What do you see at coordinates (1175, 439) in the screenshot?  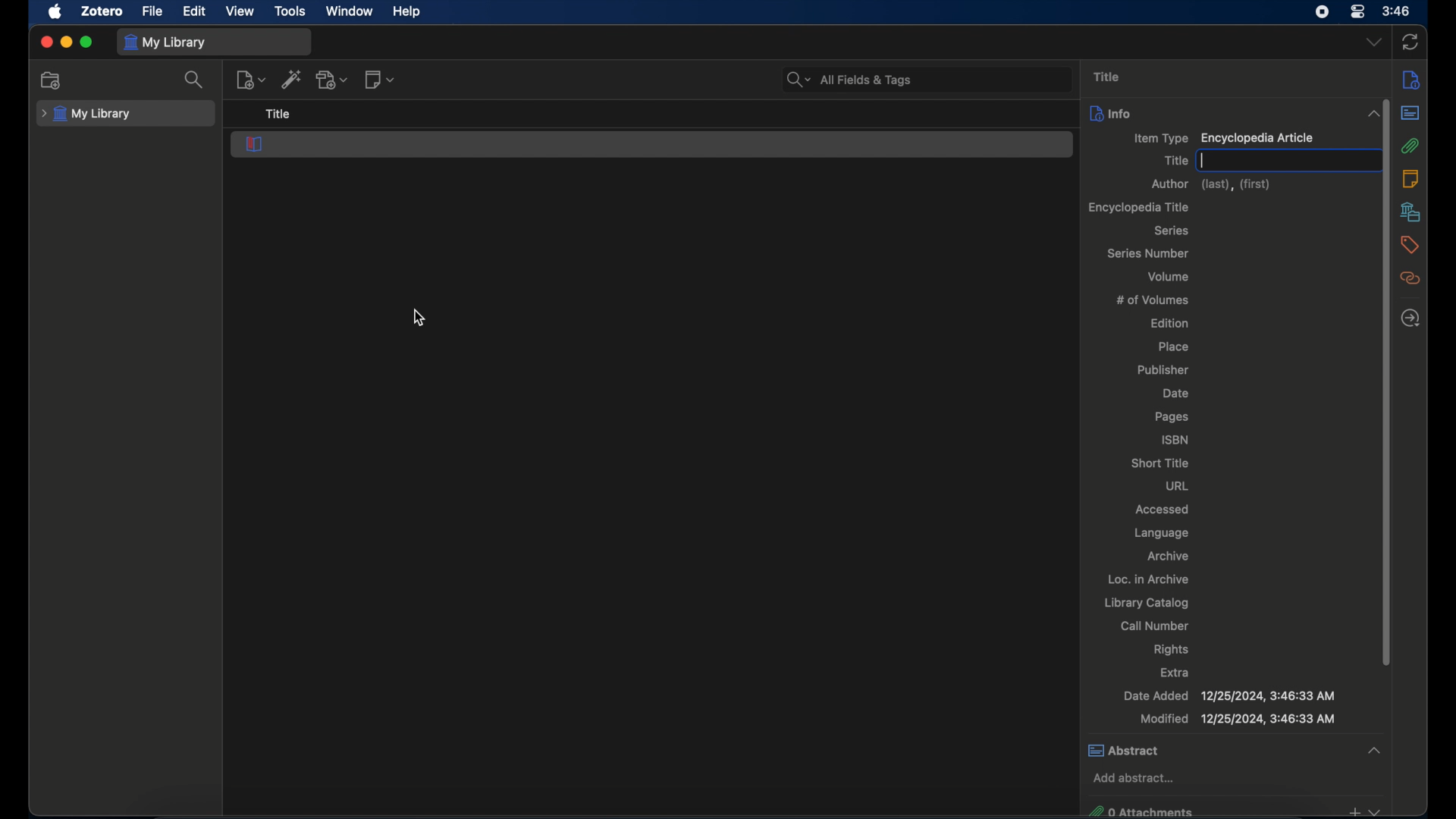 I see `isbn` at bounding box center [1175, 439].